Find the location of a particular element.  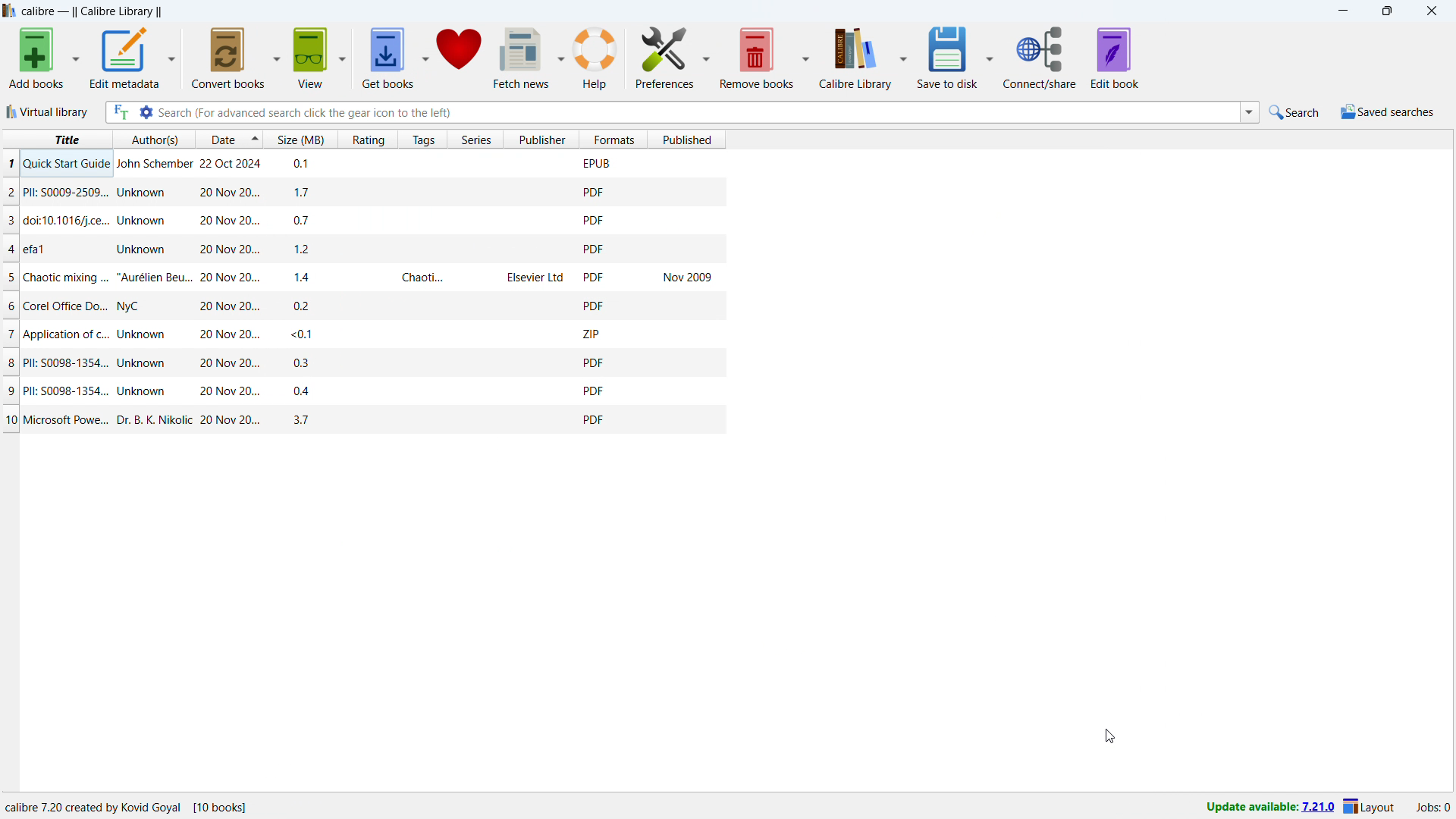

edit metadata options is located at coordinates (172, 55).